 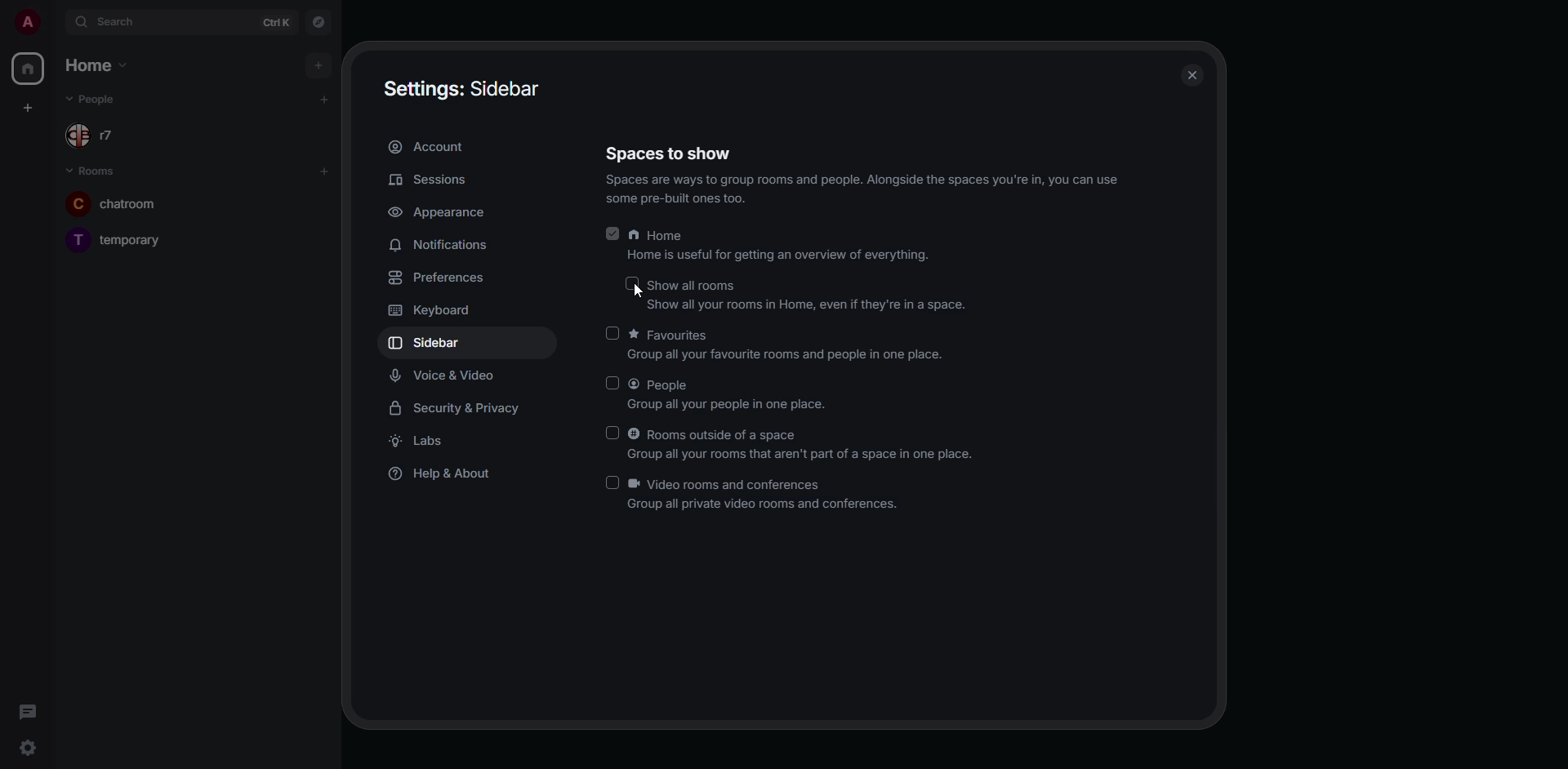 What do you see at coordinates (429, 345) in the screenshot?
I see `sidebar` at bounding box center [429, 345].